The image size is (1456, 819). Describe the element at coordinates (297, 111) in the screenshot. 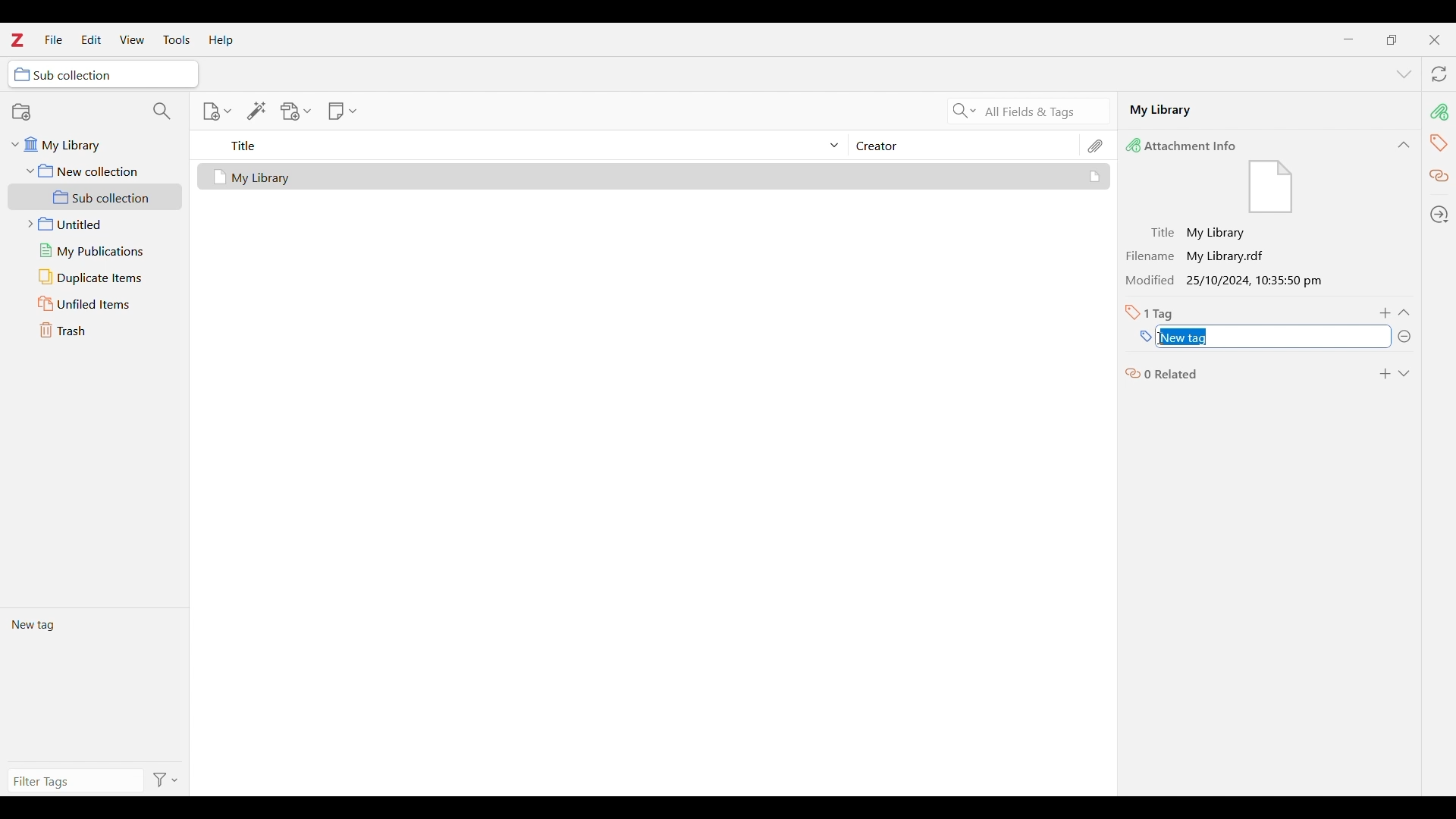

I see `Add attachment options` at that location.